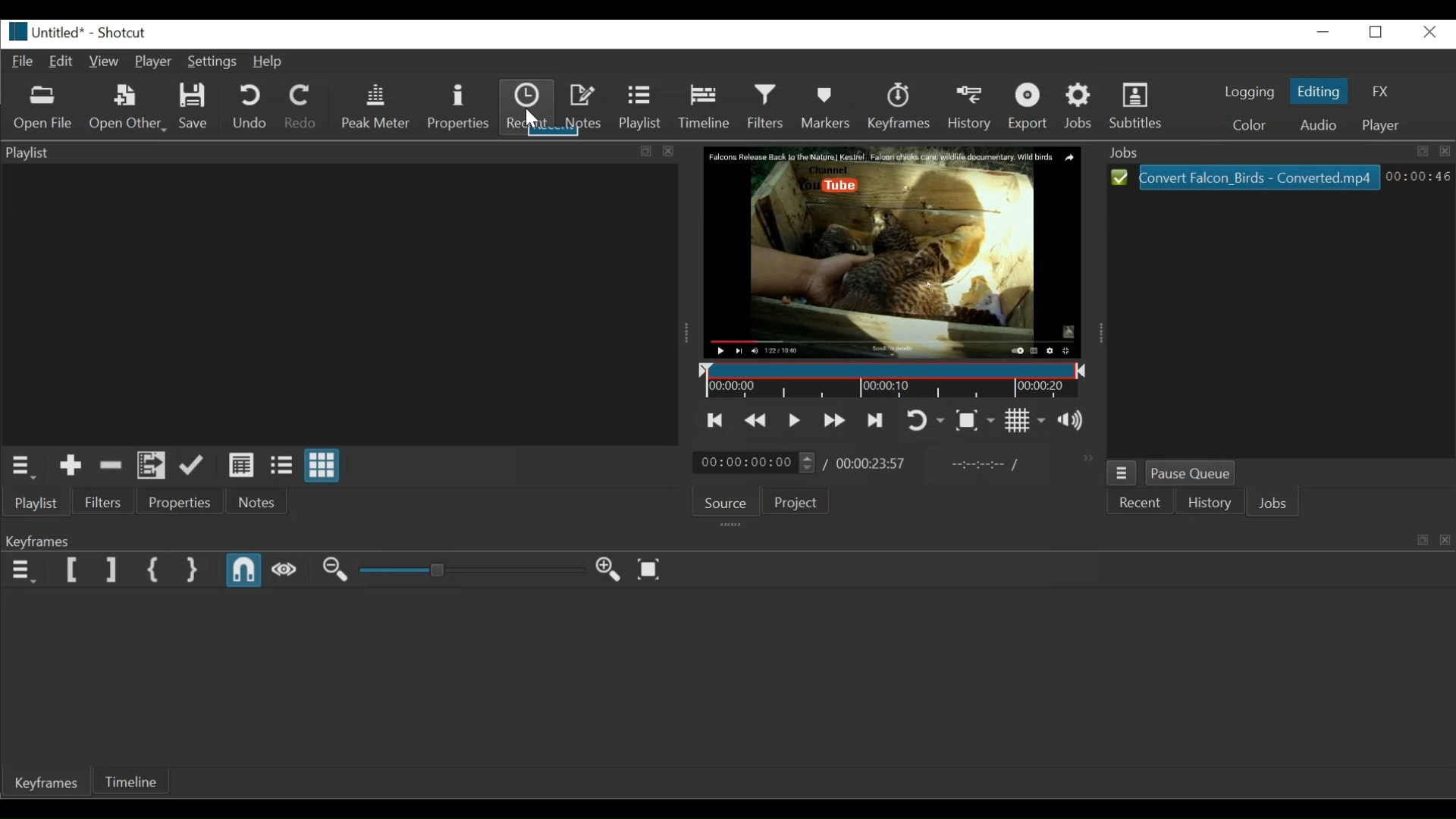 The image size is (1456, 819). I want to click on Set Filter First, so click(71, 571).